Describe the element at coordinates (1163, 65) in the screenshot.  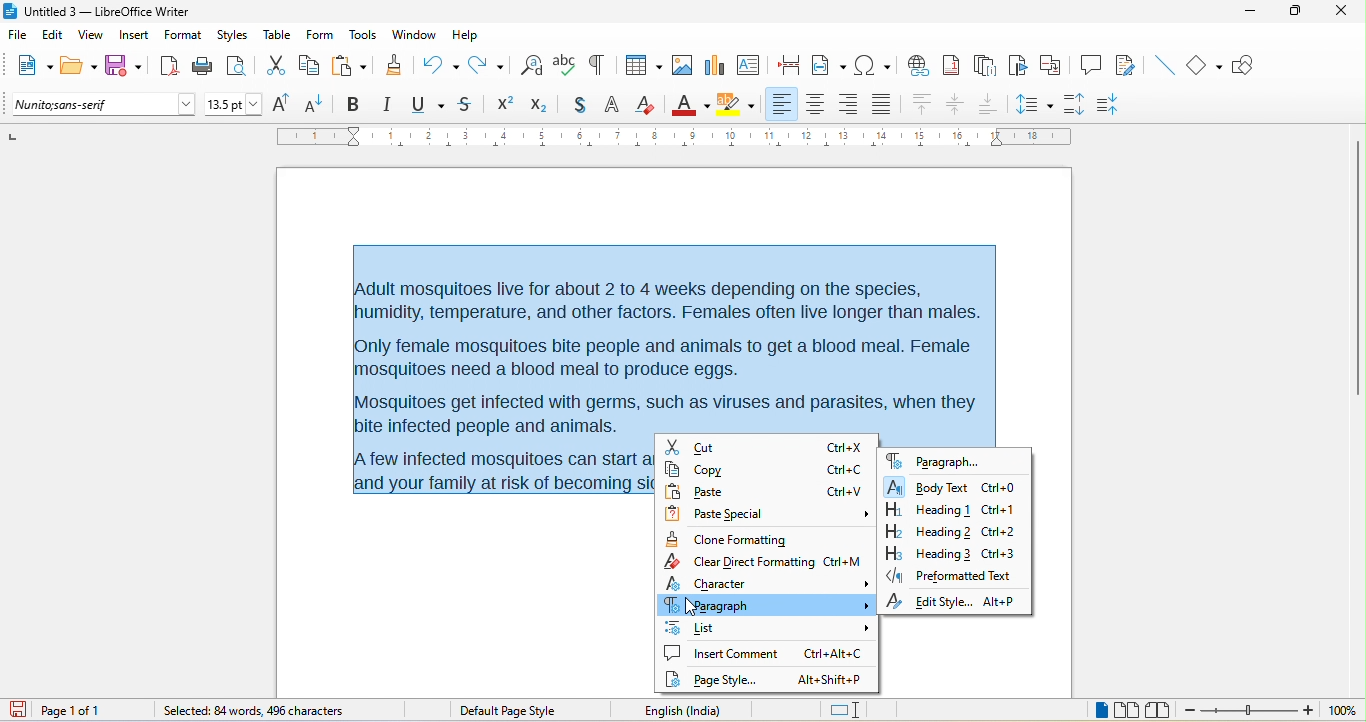
I see `insert line` at that location.